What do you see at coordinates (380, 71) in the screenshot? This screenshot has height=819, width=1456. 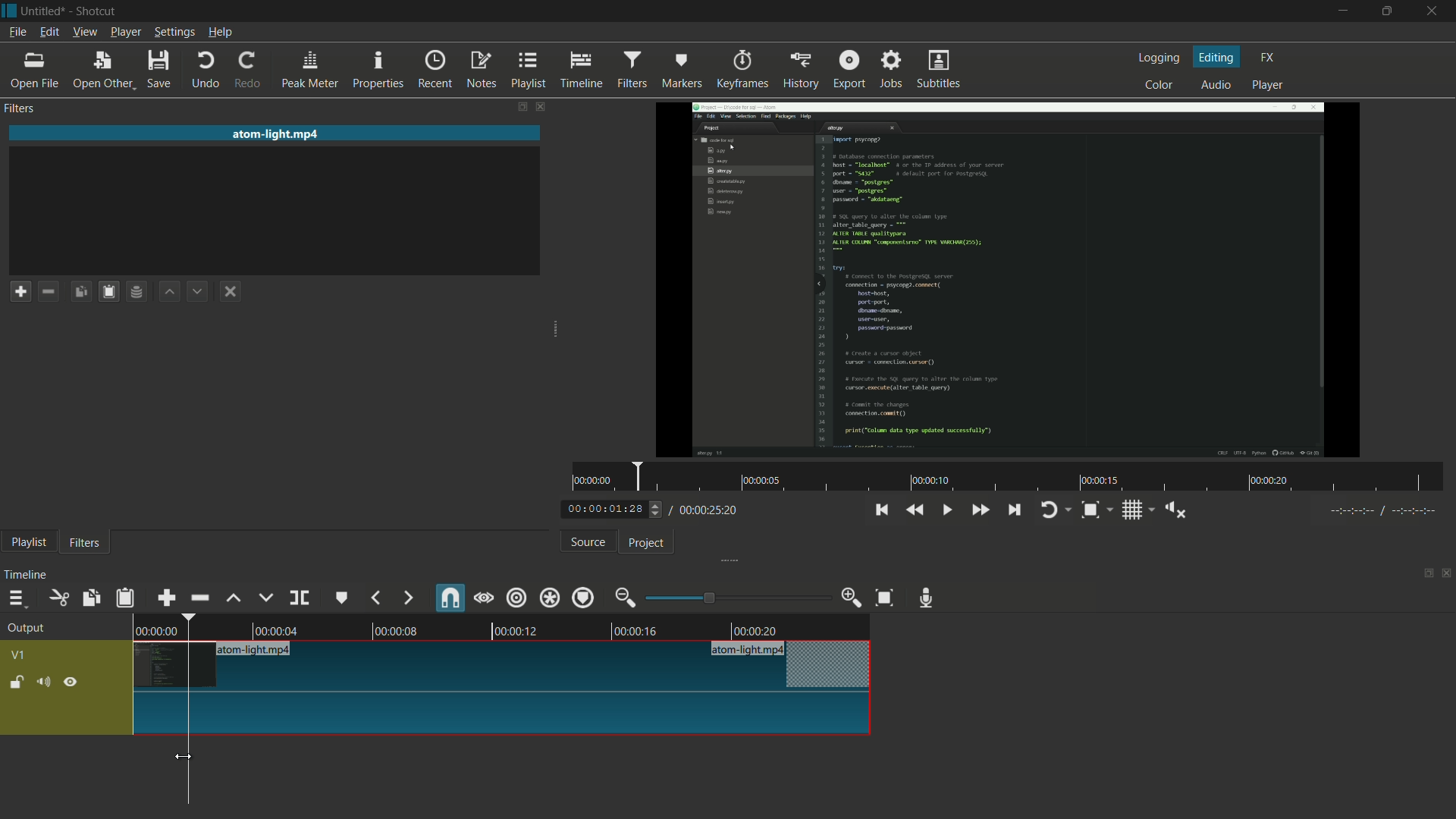 I see `properties` at bounding box center [380, 71].